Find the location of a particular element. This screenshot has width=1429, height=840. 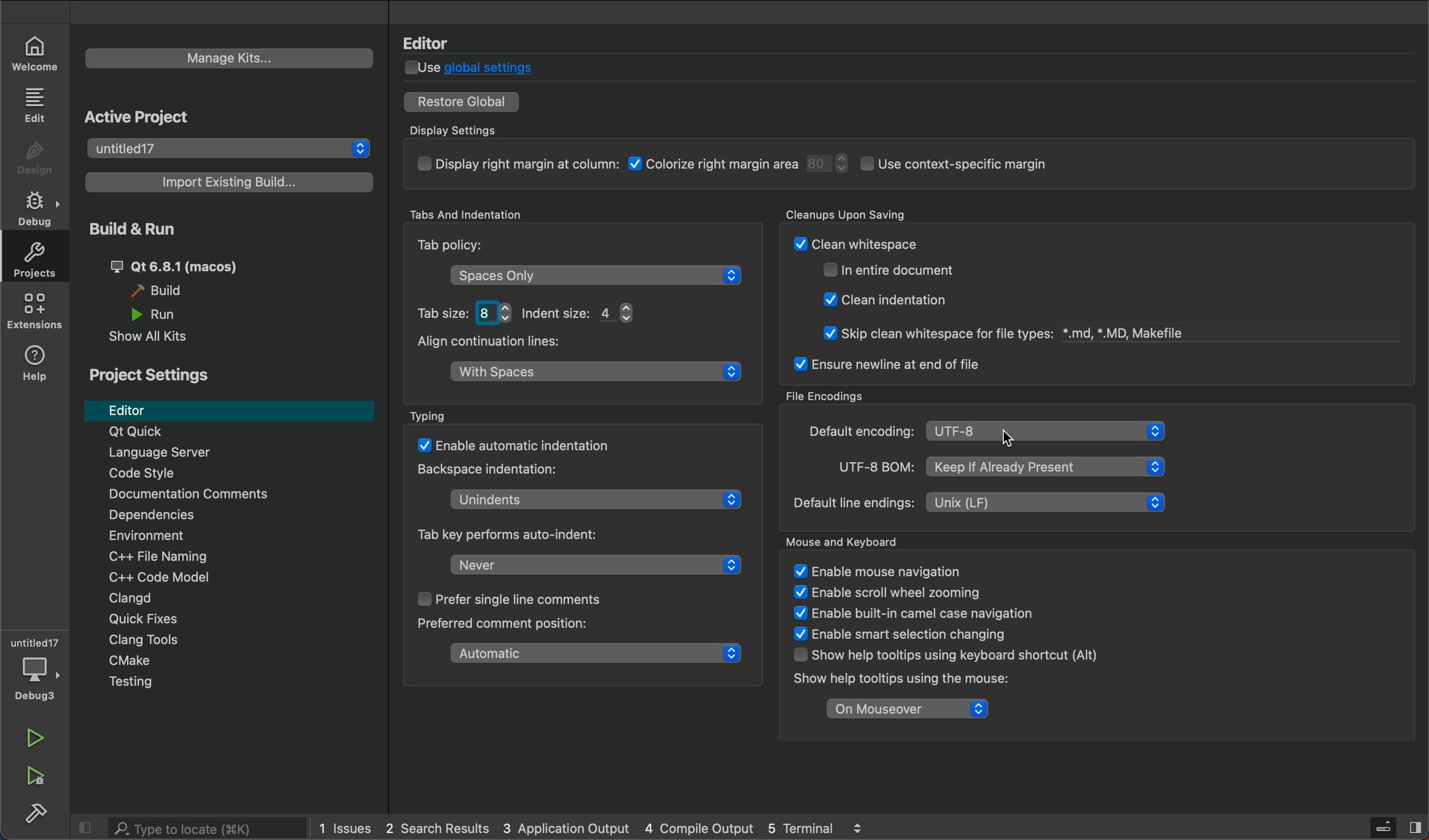

Language server is located at coordinates (230, 453).